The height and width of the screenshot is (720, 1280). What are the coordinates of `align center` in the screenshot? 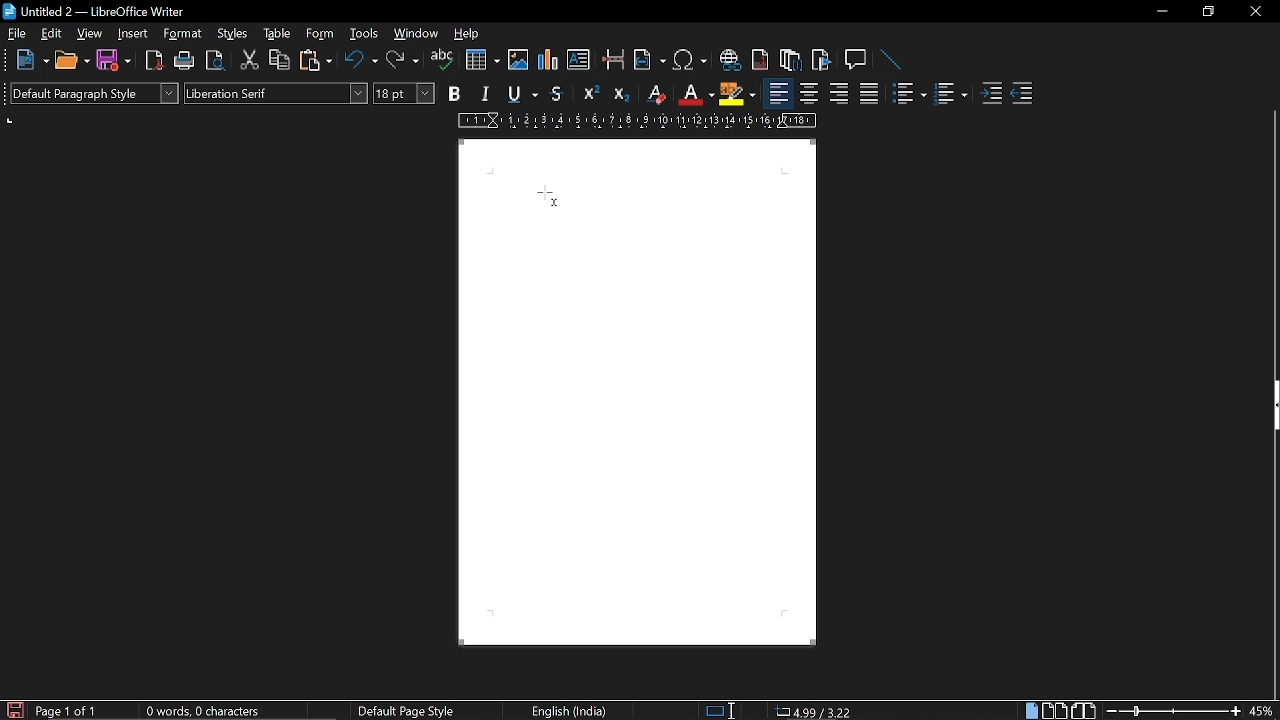 It's located at (809, 95).